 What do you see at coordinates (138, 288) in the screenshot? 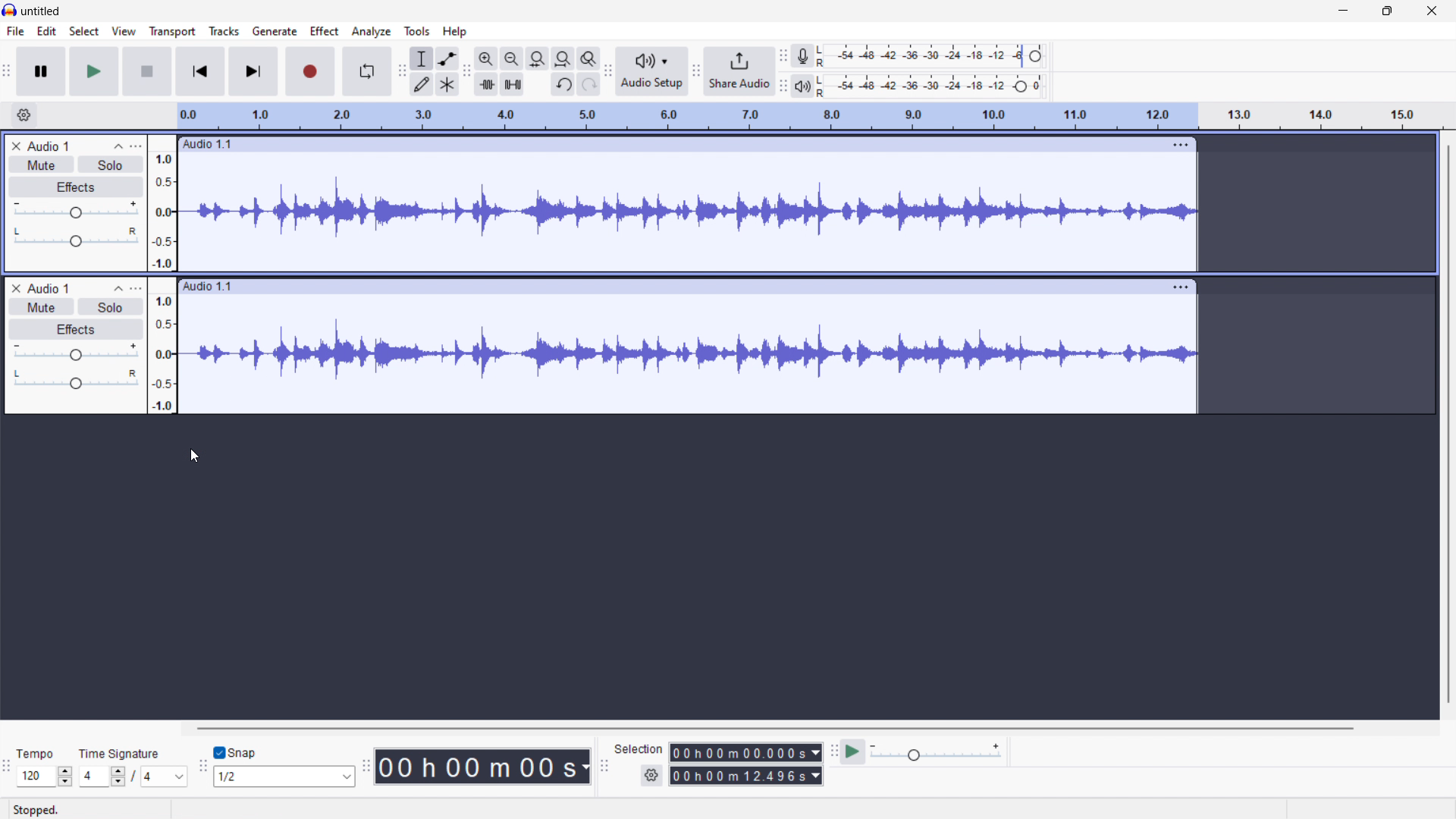
I see `track control panel menu` at bounding box center [138, 288].